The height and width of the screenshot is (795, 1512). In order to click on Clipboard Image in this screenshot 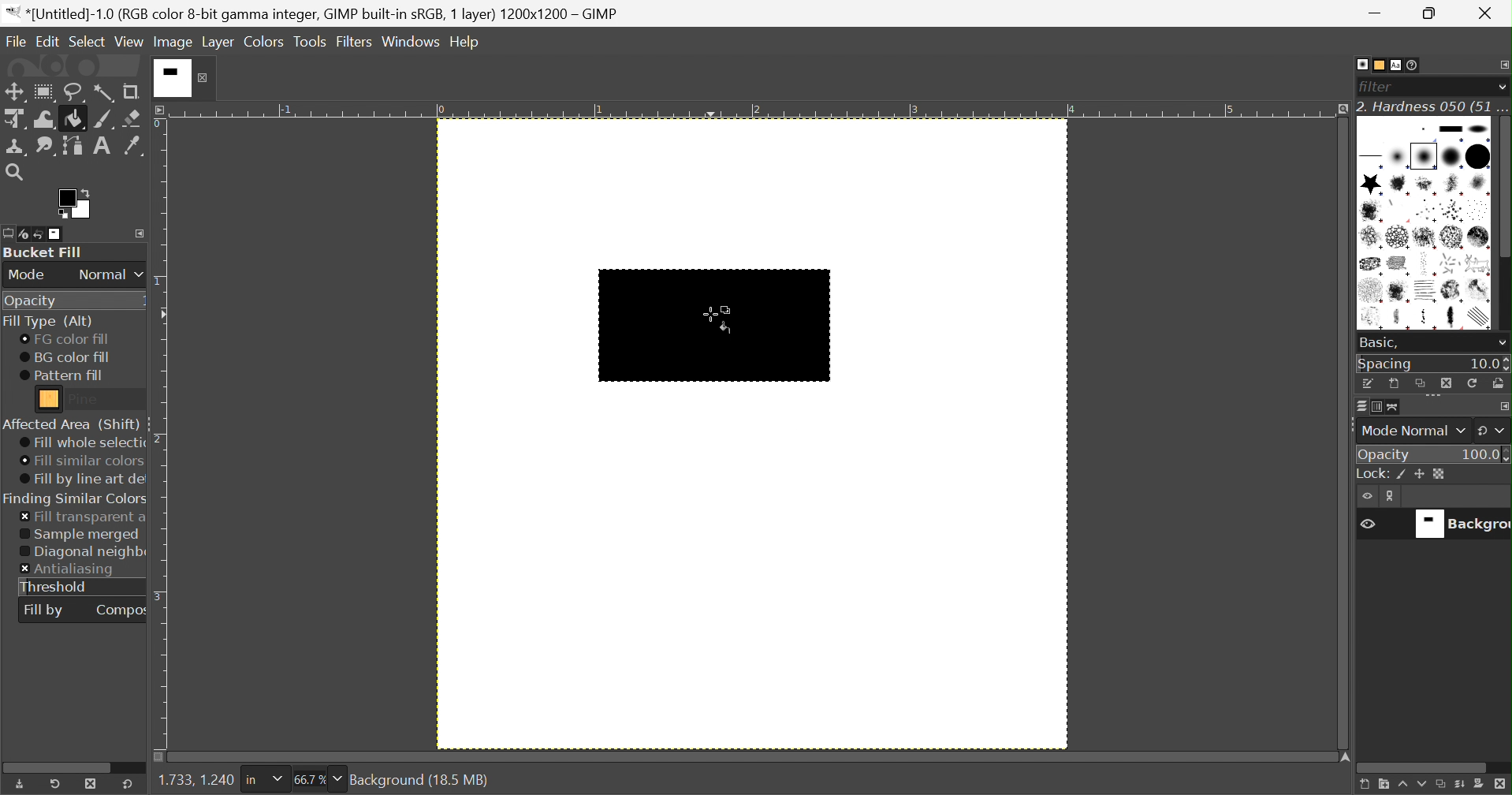, I will do `click(1374, 130)`.